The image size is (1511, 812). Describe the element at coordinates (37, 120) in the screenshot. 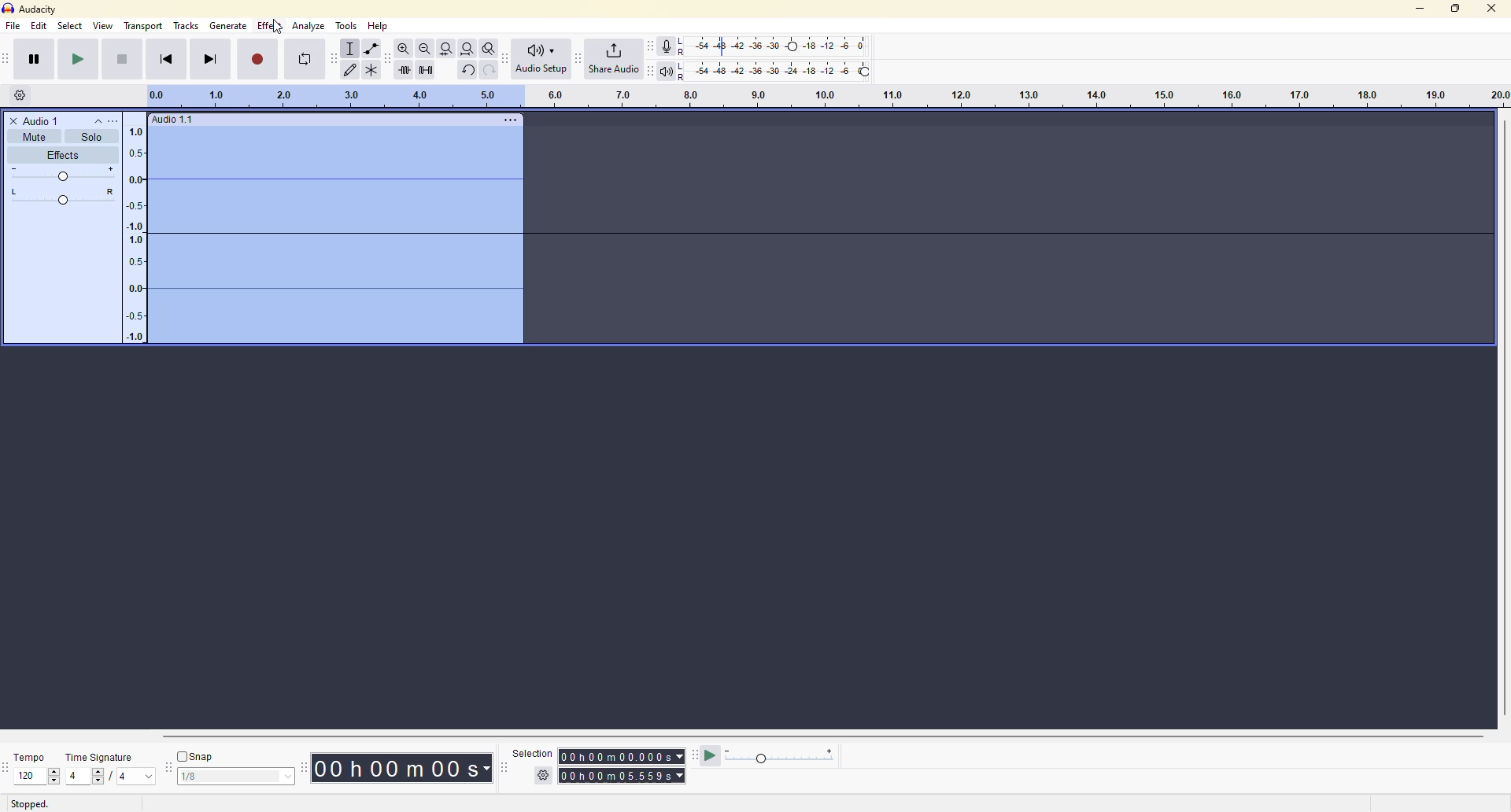

I see `audio 1` at that location.